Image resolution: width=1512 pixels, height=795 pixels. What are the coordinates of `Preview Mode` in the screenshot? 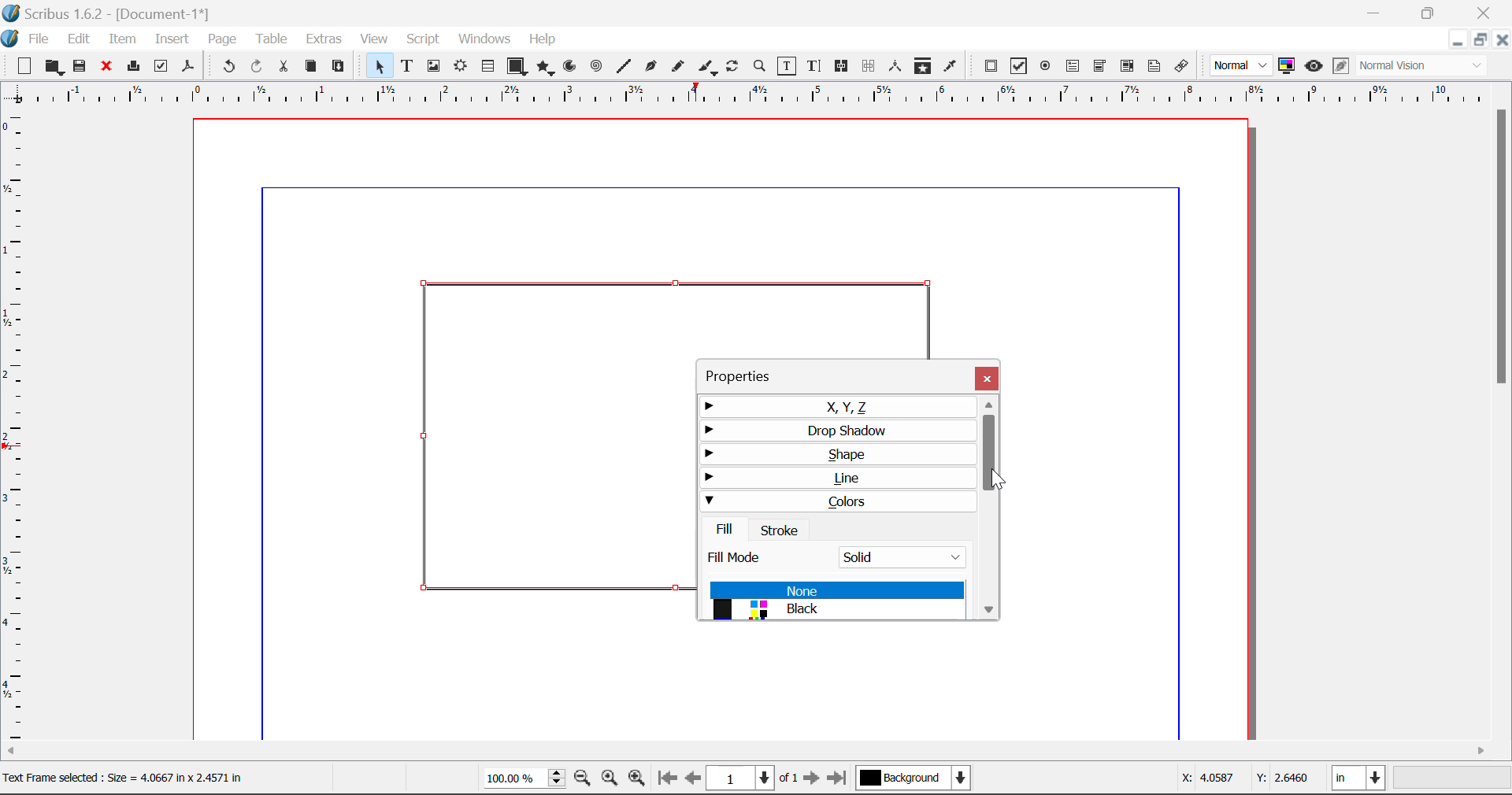 It's located at (1242, 66).